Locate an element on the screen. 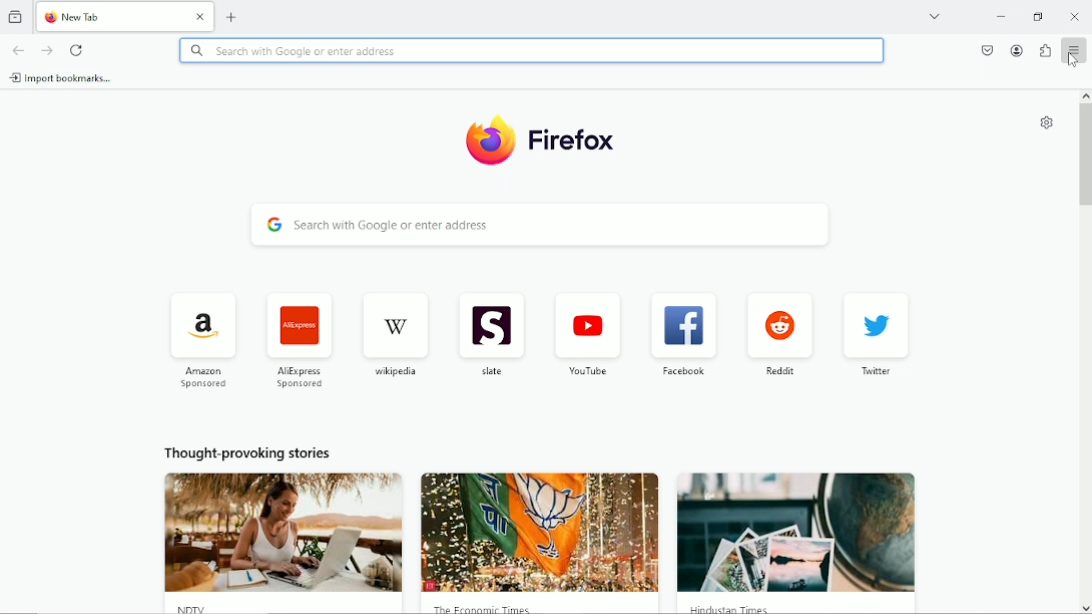  icon is located at coordinates (781, 325).